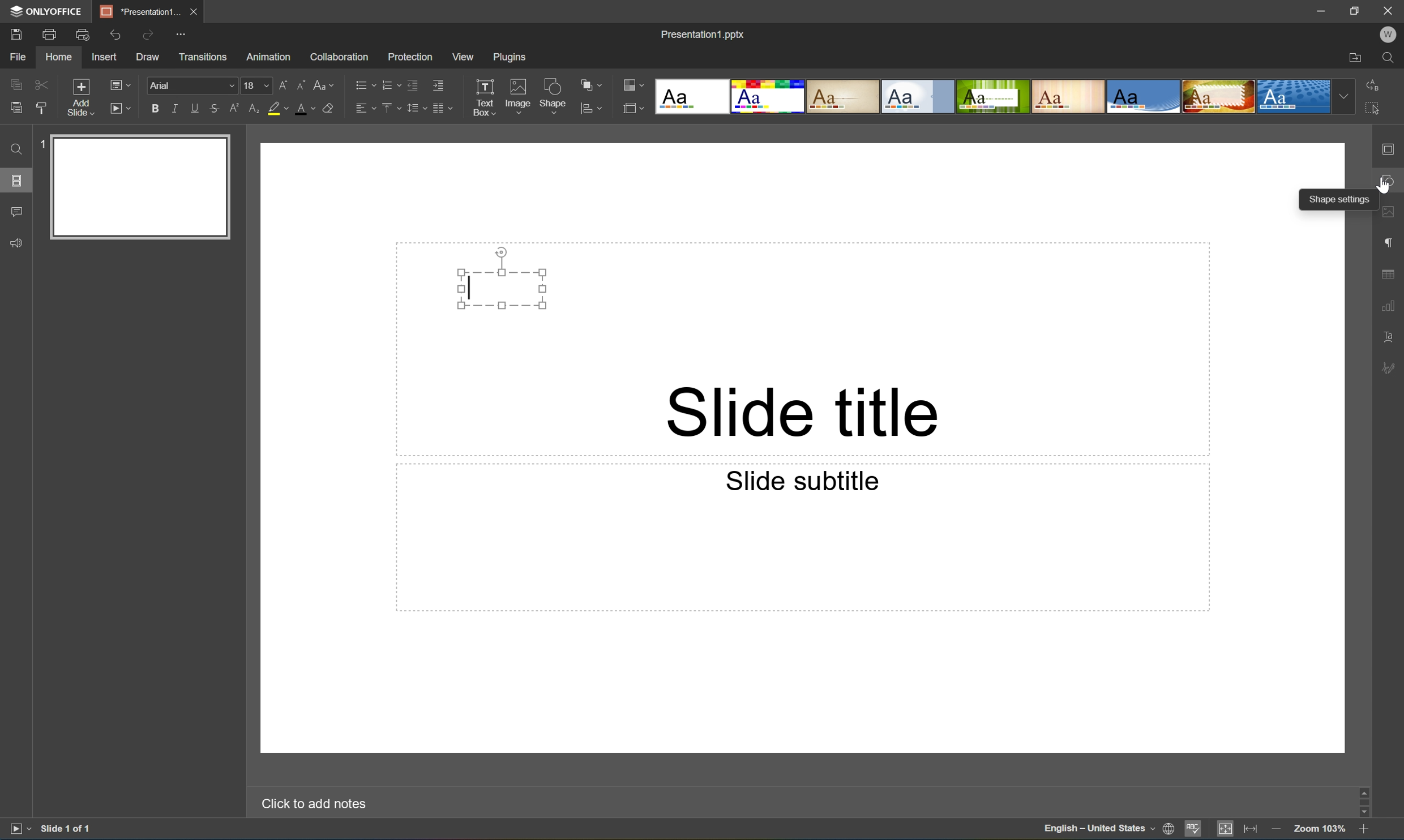 The width and height of the screenshot is (1404, 840). What do you see at coordinates (185, 33) in the screenshot?
I see `Customize quick access toolbar` at bounding box center [185, 33].